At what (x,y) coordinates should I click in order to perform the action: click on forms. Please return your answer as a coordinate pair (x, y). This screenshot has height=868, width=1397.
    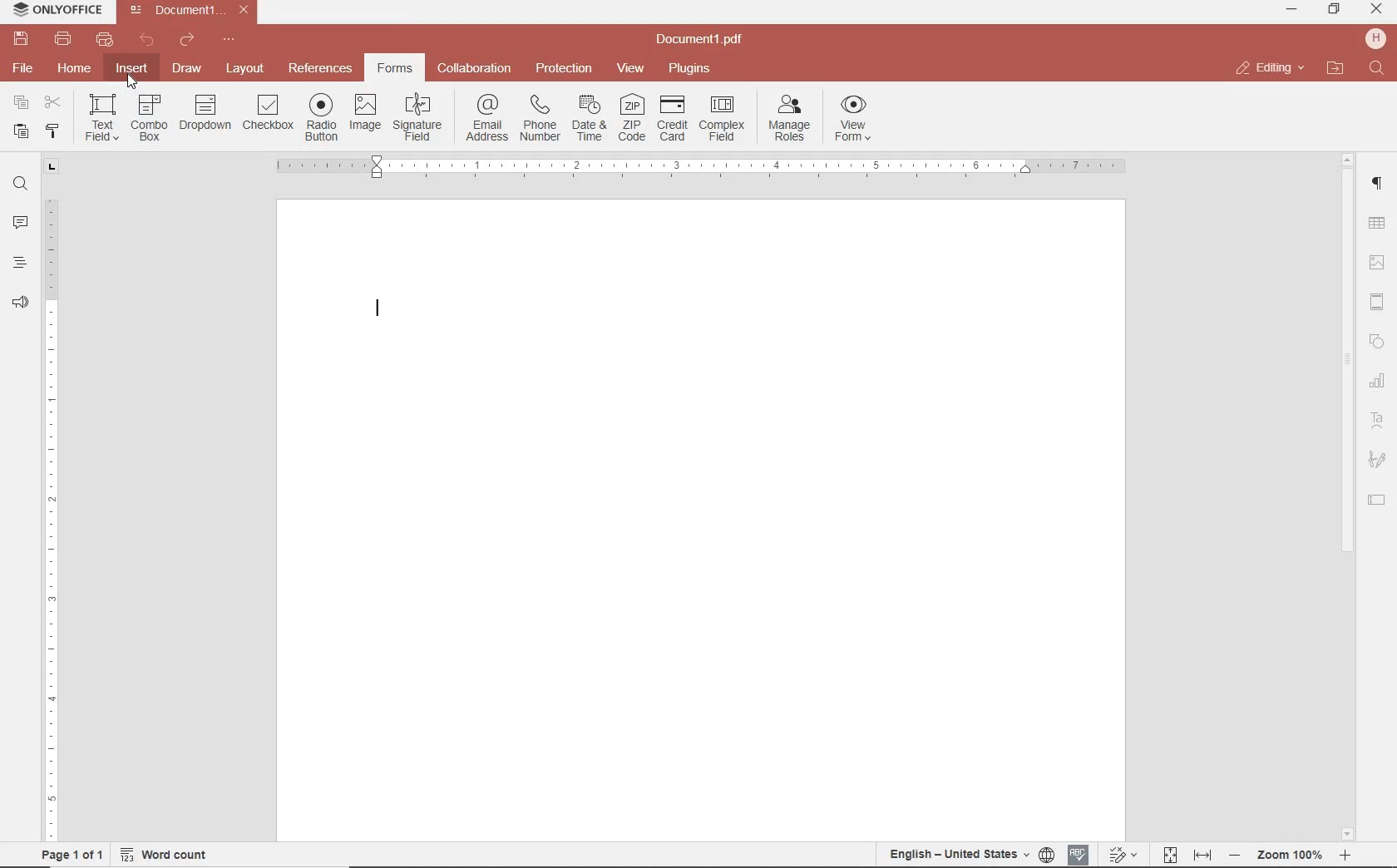
    Looking at the image, I should click on (395, 68).